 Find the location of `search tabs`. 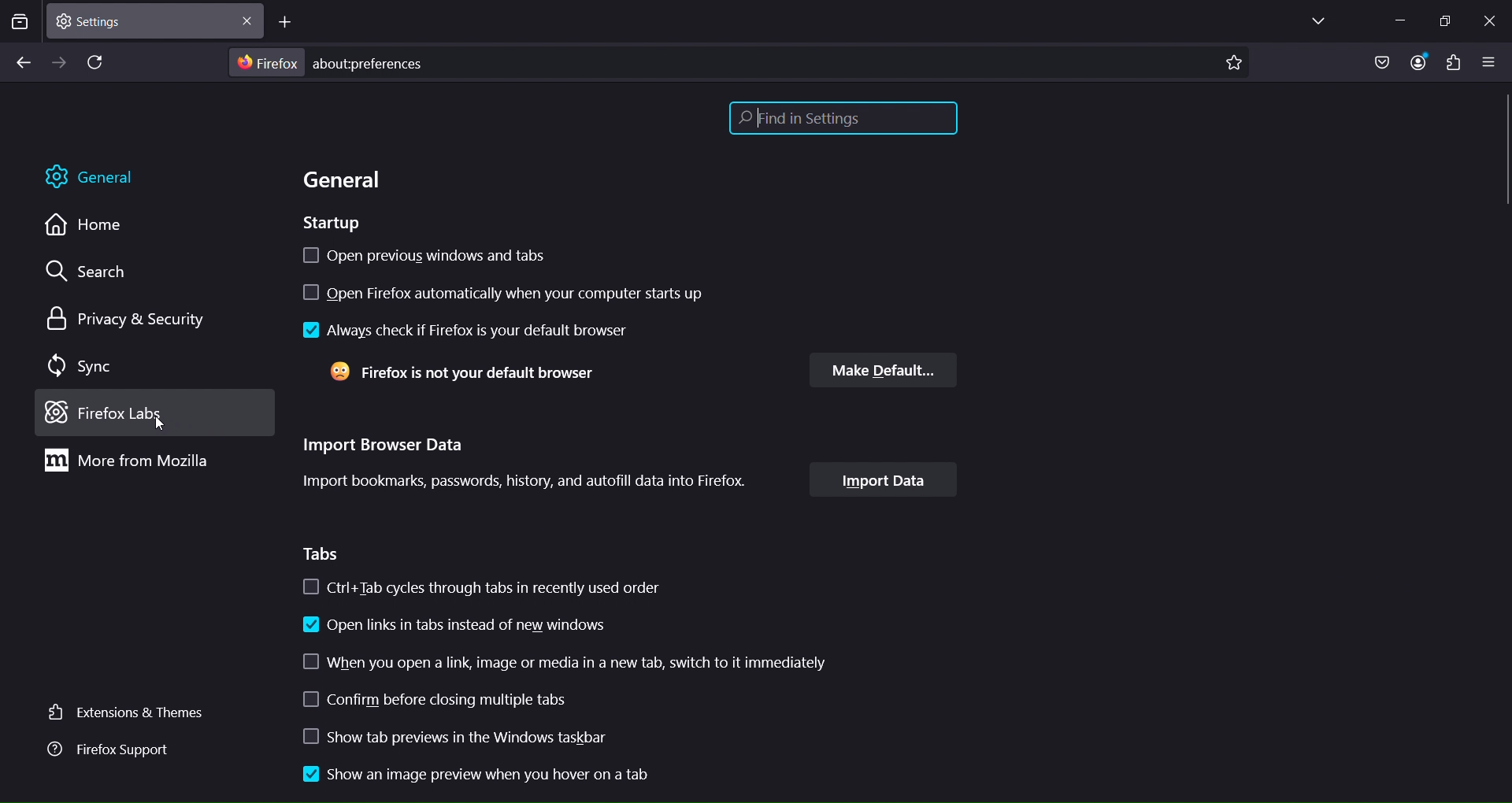

search tabs is located at coordinates (20, 24).